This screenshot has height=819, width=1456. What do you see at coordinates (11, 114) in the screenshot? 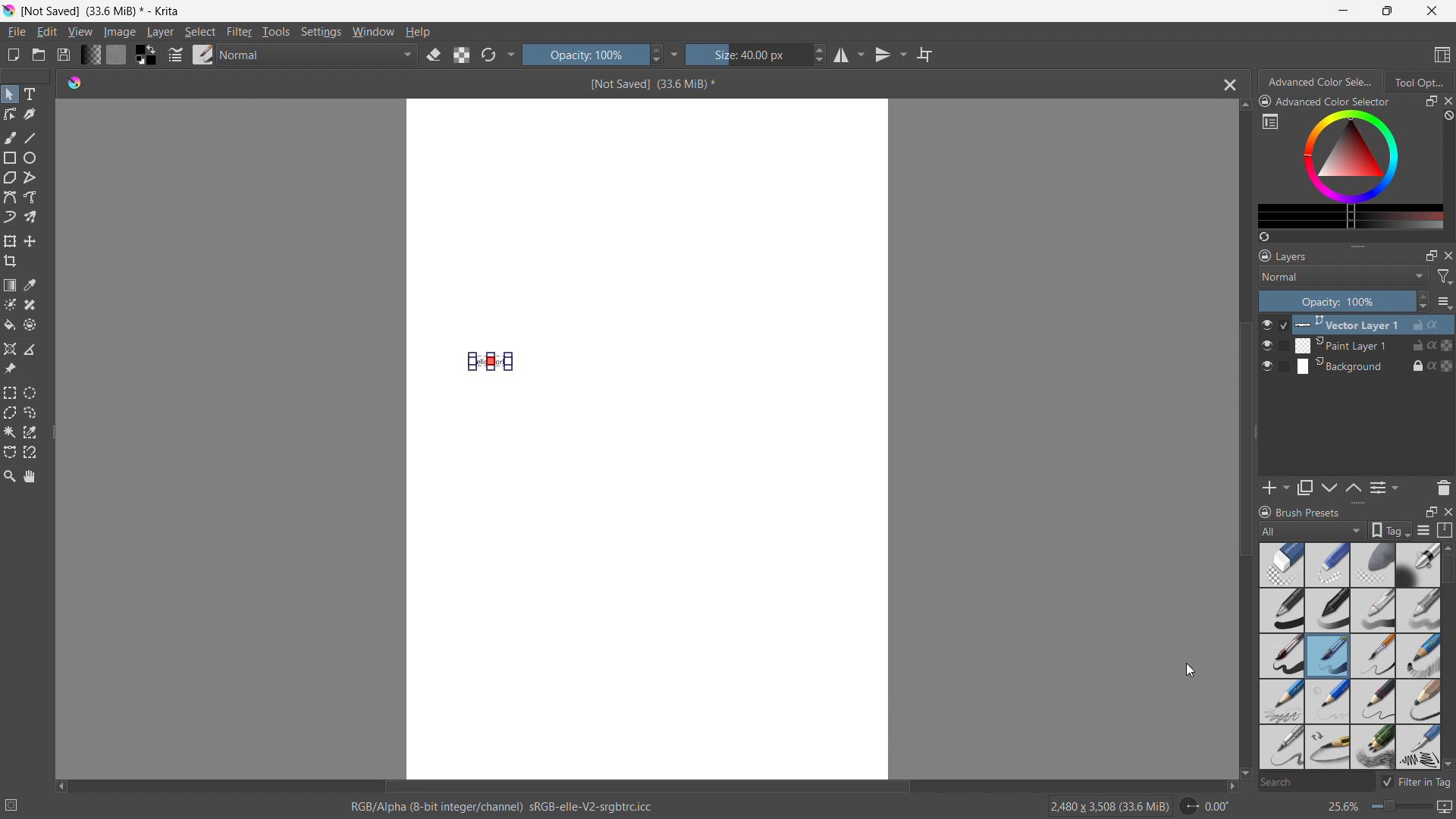
I see `edit shapes tool` at bounding box center [11, 114].